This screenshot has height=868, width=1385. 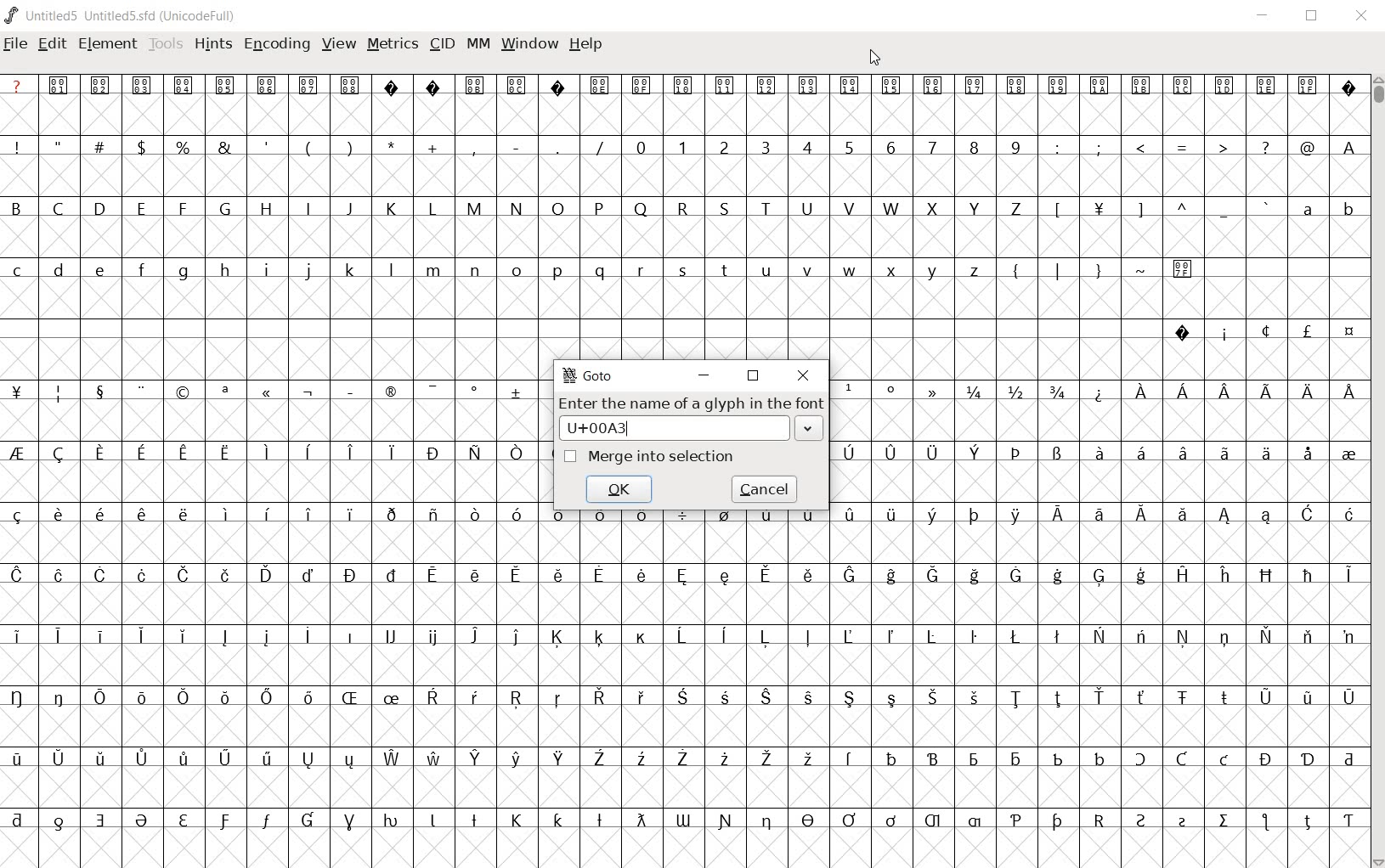 What do you see at coordinates (1184, 519) in the screenshot?
I see `Symbol` at bounding box center [1184, 519].